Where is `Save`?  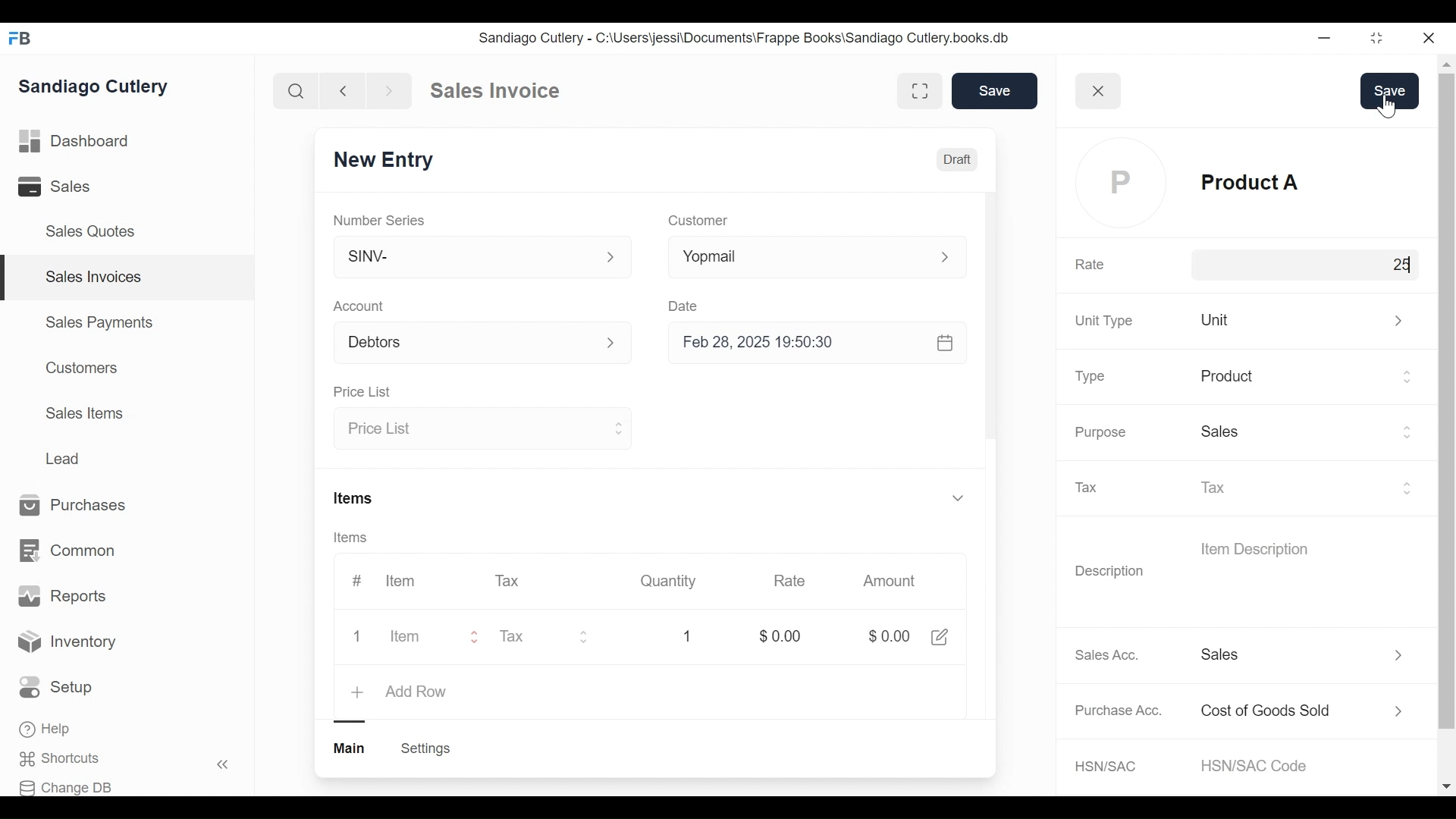
Save is located at coordinates (1390, 91).